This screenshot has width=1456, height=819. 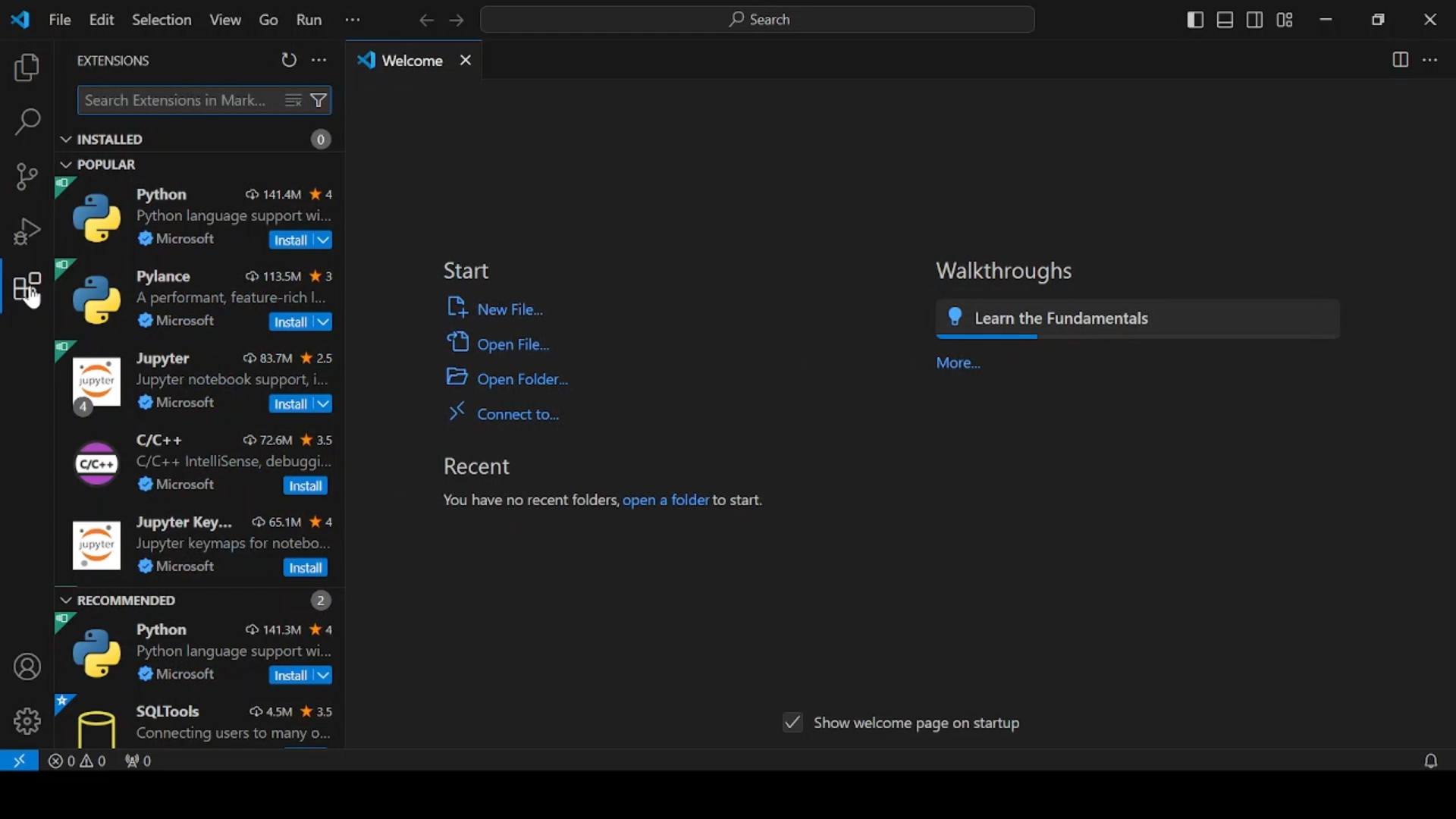 What do you see at coordinates (1225, 20) in the screenshot?
I see `toggle panel` at bounding box center [1225, 20].